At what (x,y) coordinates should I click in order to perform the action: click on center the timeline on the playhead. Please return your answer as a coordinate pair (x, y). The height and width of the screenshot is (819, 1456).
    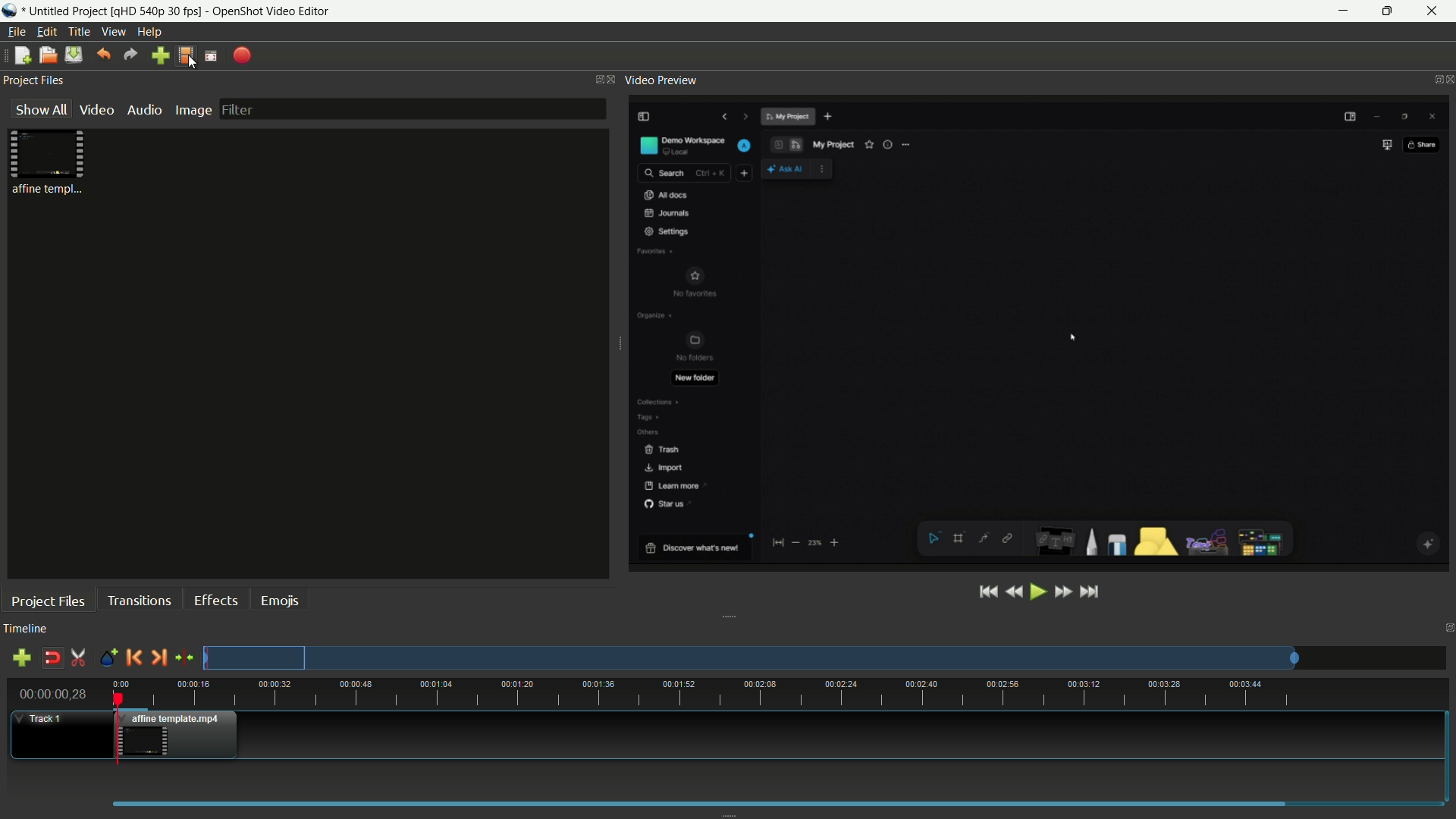
    Looking at the image, I should click on (184, 657).